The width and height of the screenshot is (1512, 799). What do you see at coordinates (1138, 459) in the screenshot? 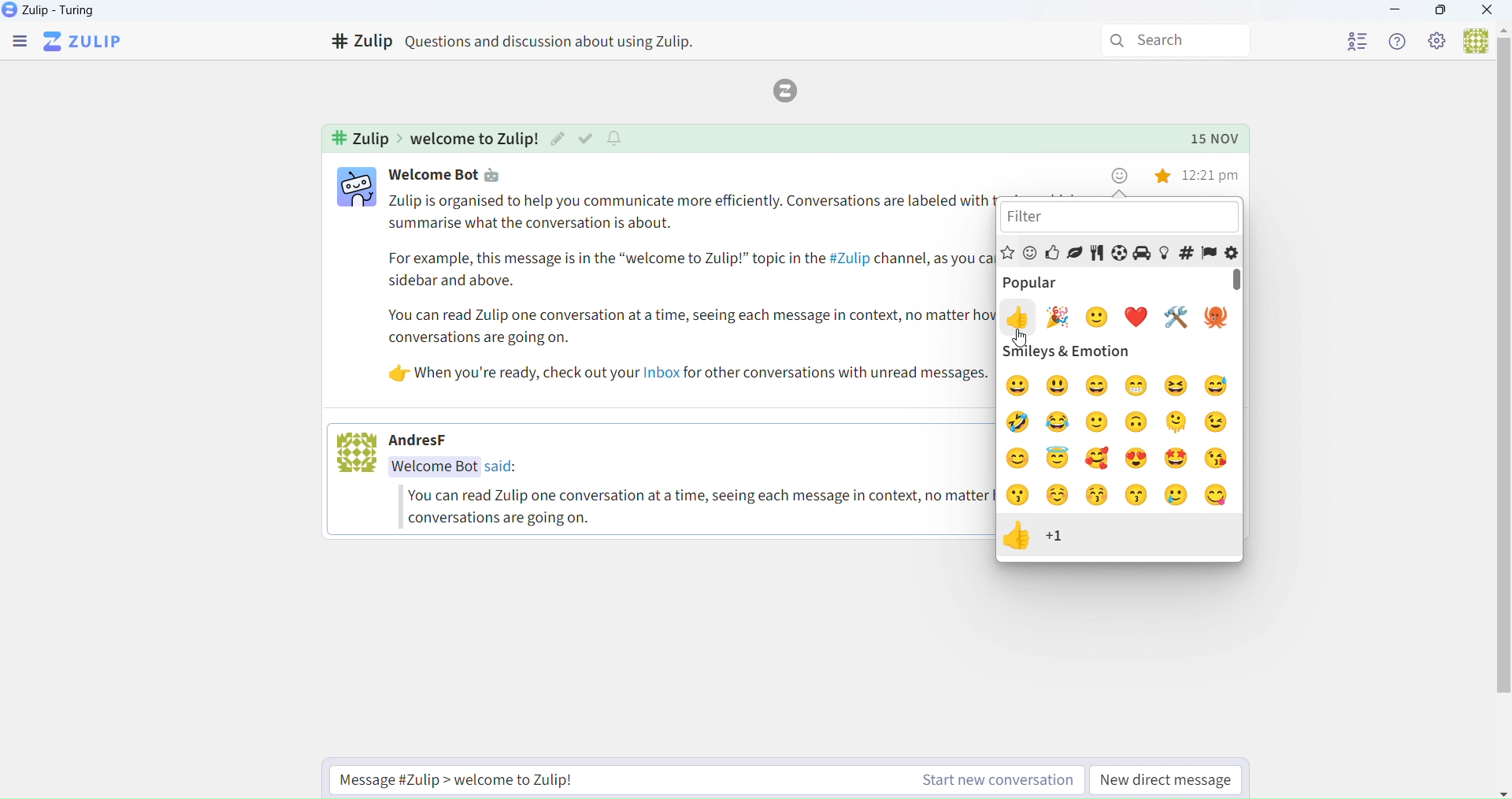
I see `red heart eyes` at bounding box center [1138, 459].